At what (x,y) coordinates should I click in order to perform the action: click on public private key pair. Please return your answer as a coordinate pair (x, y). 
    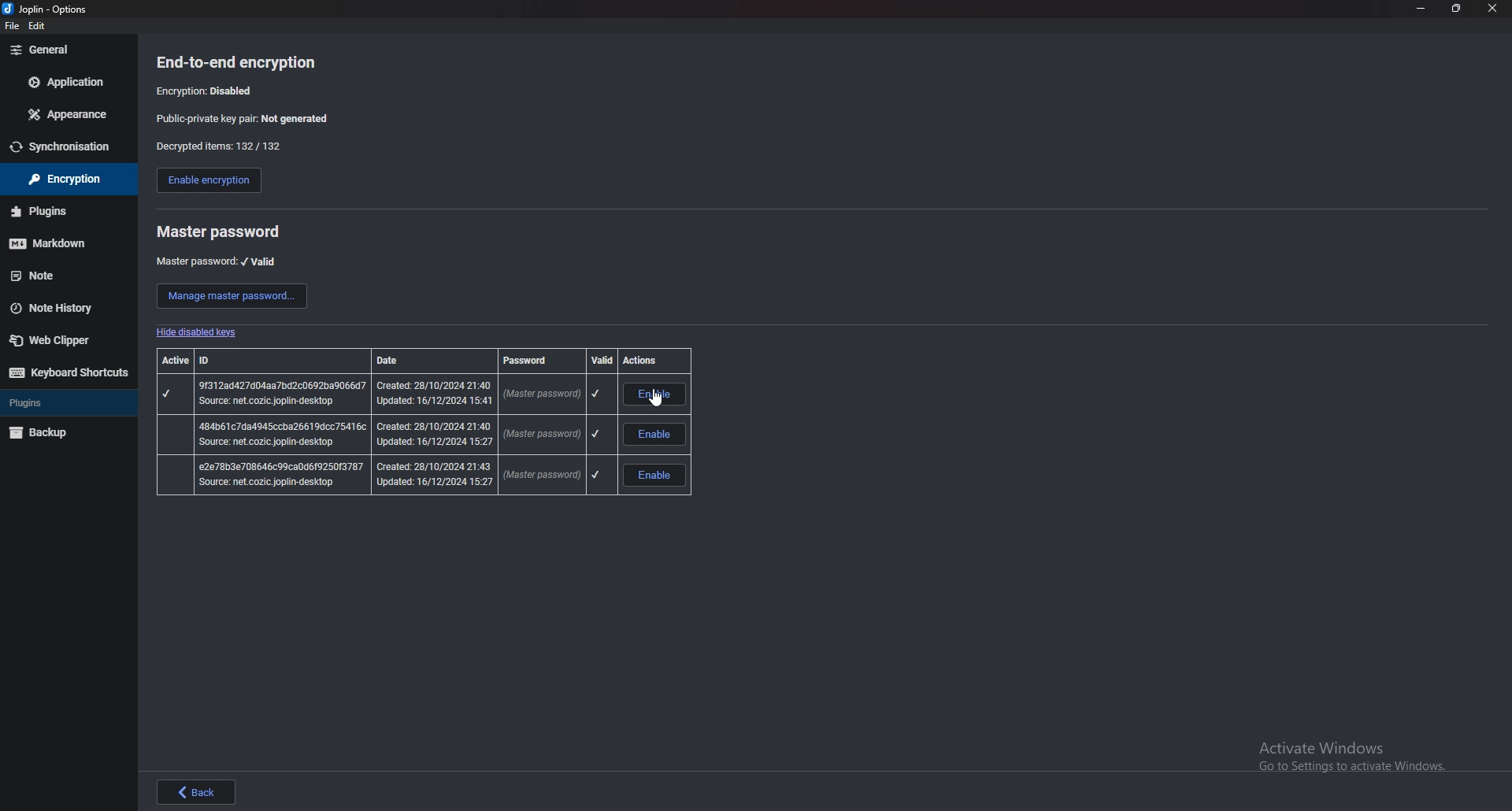
    Looking at the image, I should click on (240, 118).